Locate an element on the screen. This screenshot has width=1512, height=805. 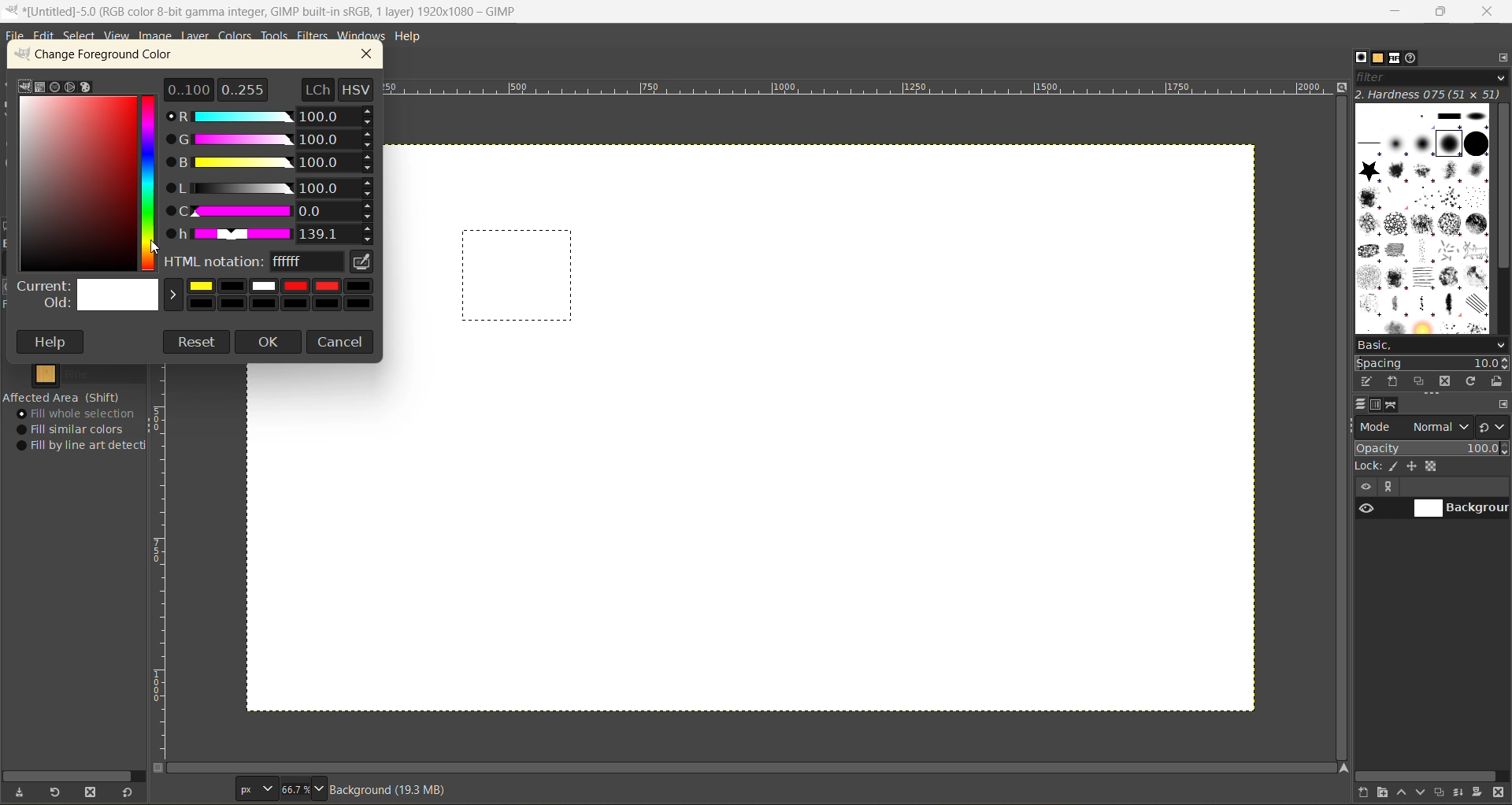
HSV is located at coordinates (358, 88).